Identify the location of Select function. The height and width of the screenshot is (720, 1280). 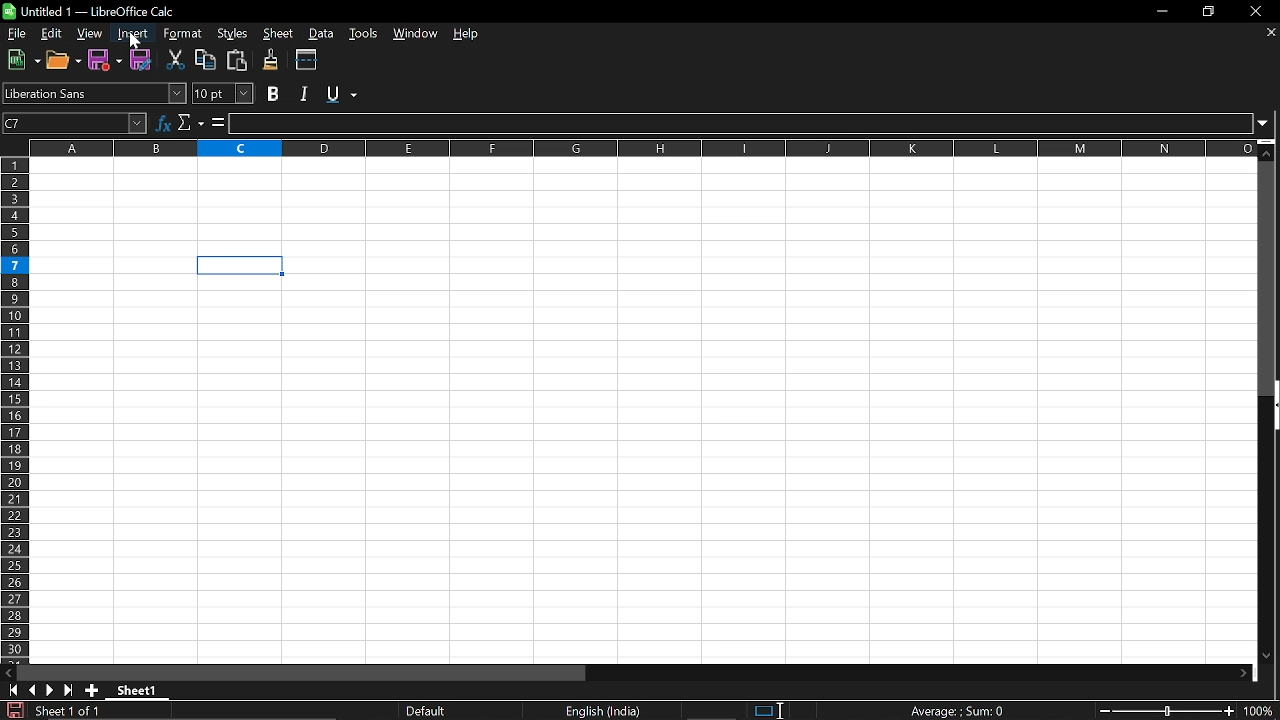
(191, 122).